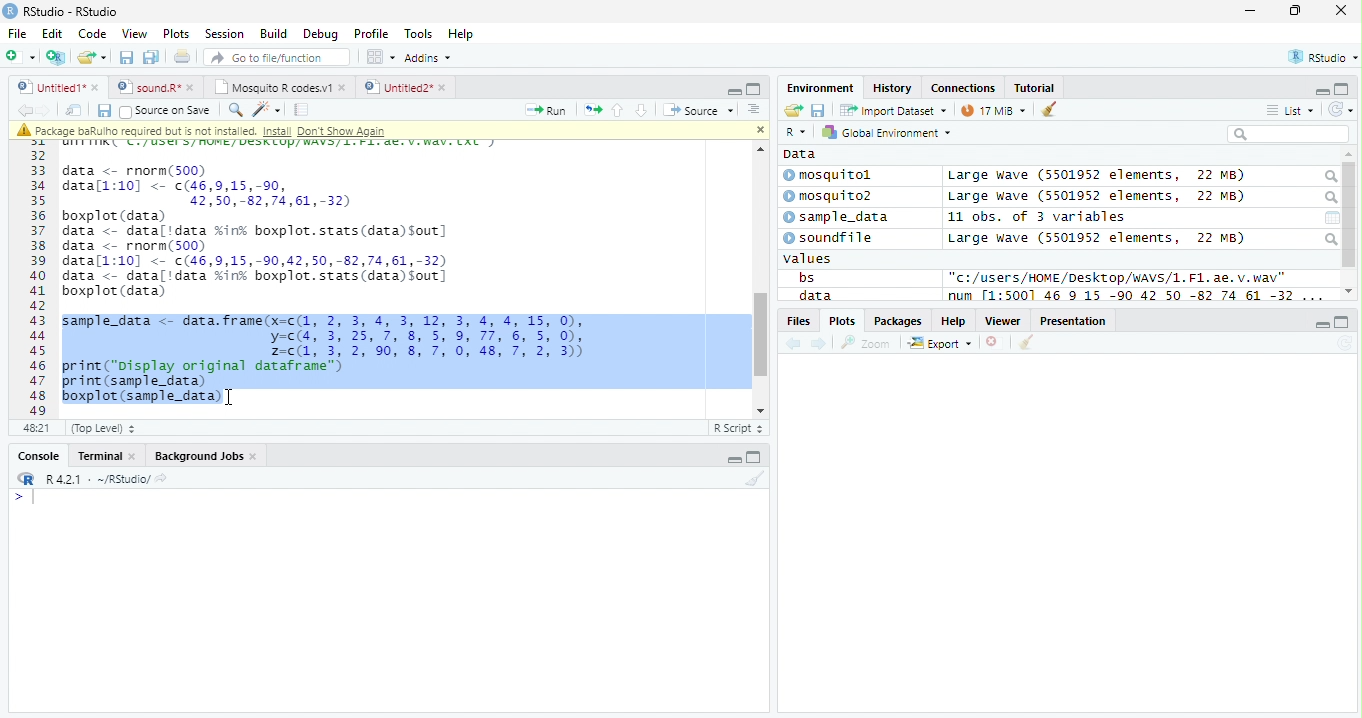  What do you see at coordinates (734, 90) in the screenshot?
I see `minimize` at bounding box center [734, 90].